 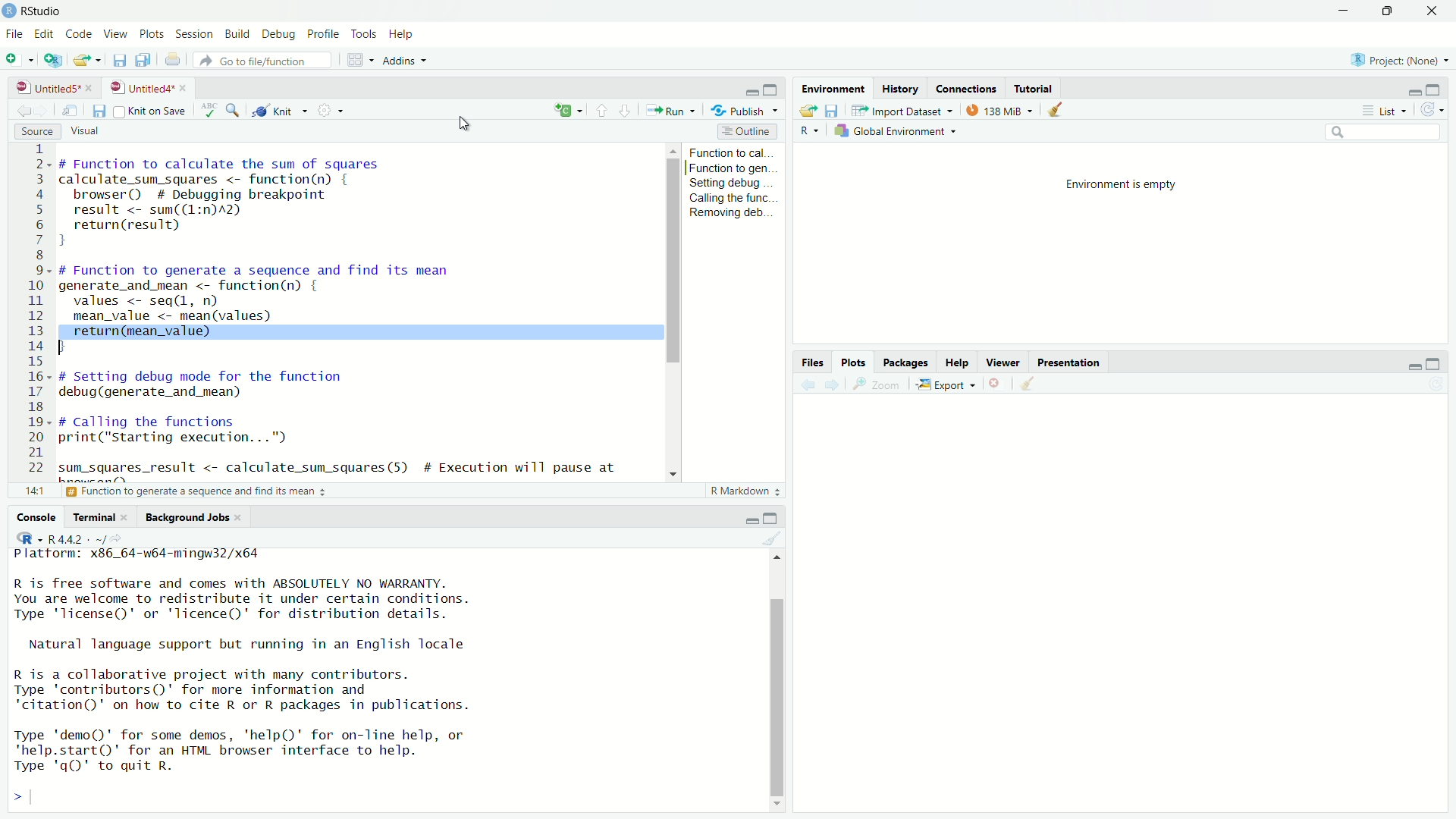 I want to click on settings, so click(x=332, y=110).